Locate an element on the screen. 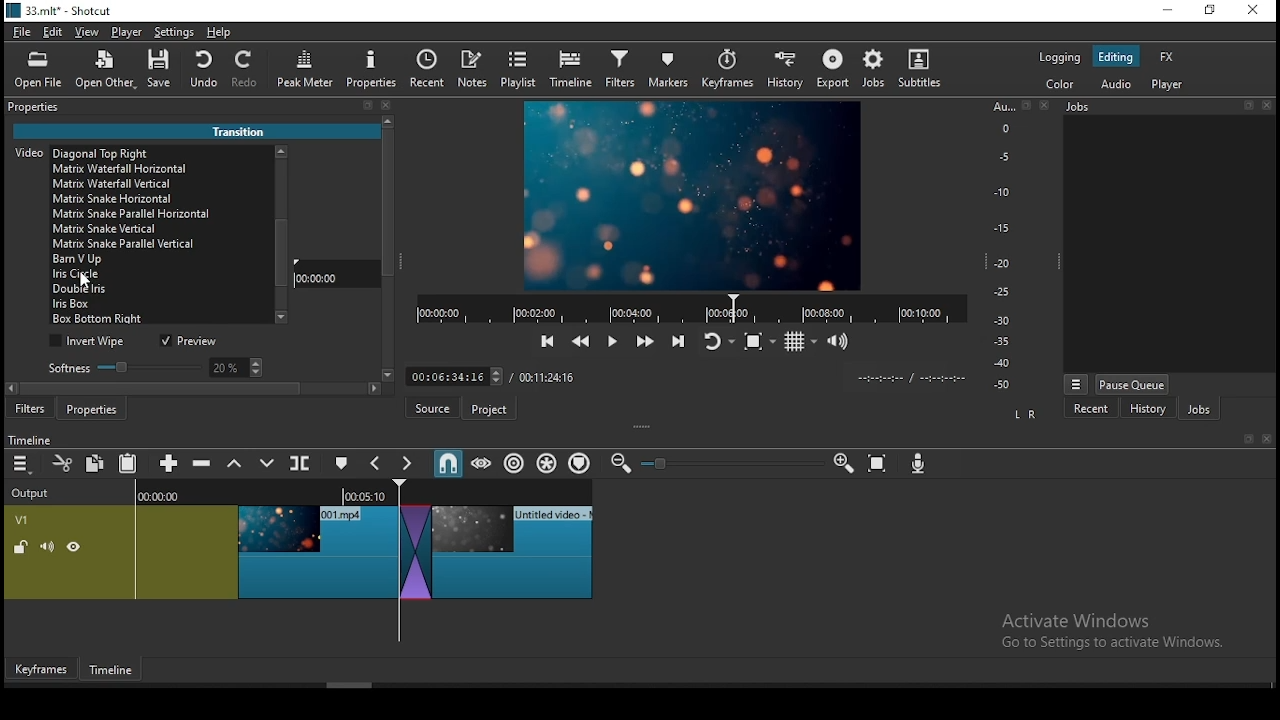 The height and width of the screenshot is (720, 1280). color is located at coordinates (1061, 85).